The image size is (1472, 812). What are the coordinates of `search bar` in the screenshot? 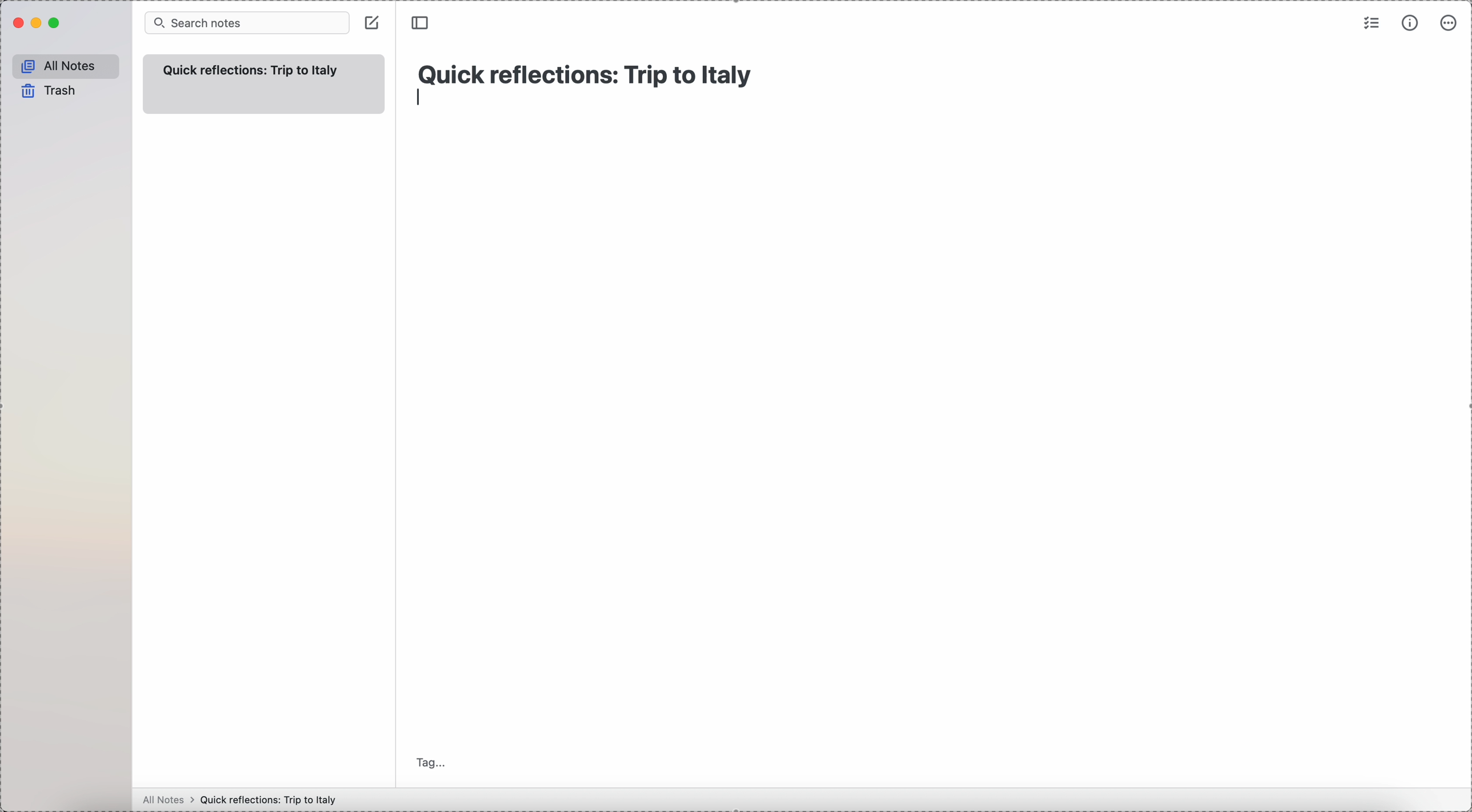 It's located at (247, 22).